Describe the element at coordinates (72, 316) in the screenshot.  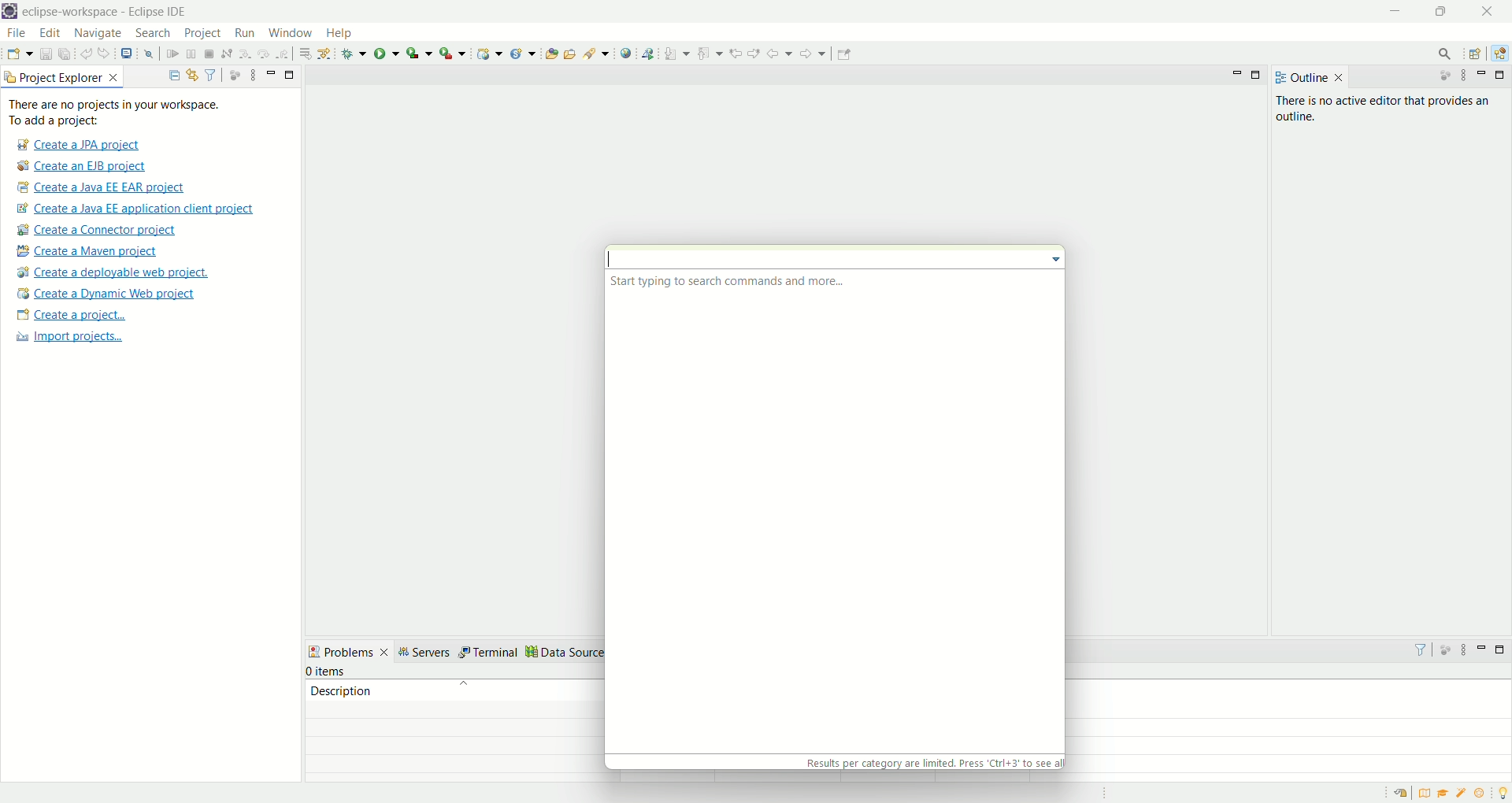
I see `create a project` at that location.